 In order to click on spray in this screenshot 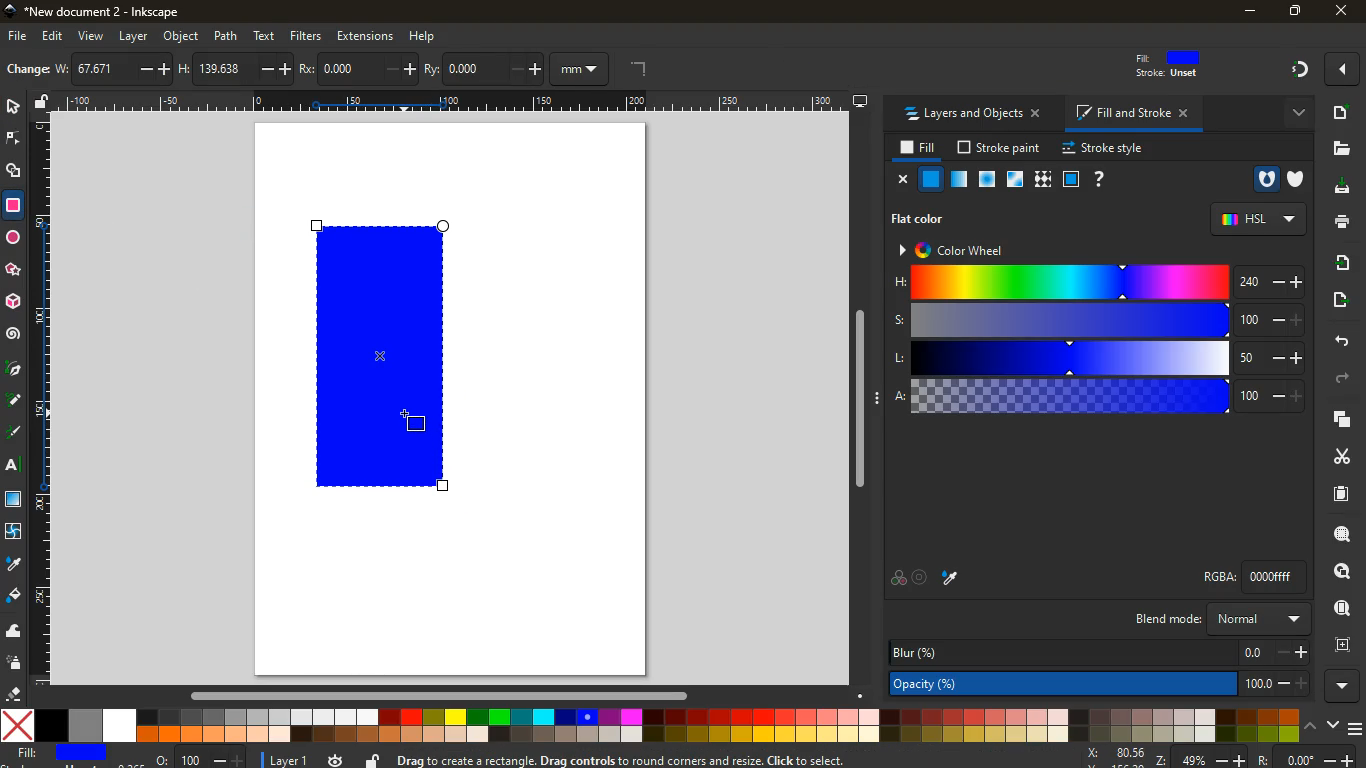, I will do `click(15, 663)`.